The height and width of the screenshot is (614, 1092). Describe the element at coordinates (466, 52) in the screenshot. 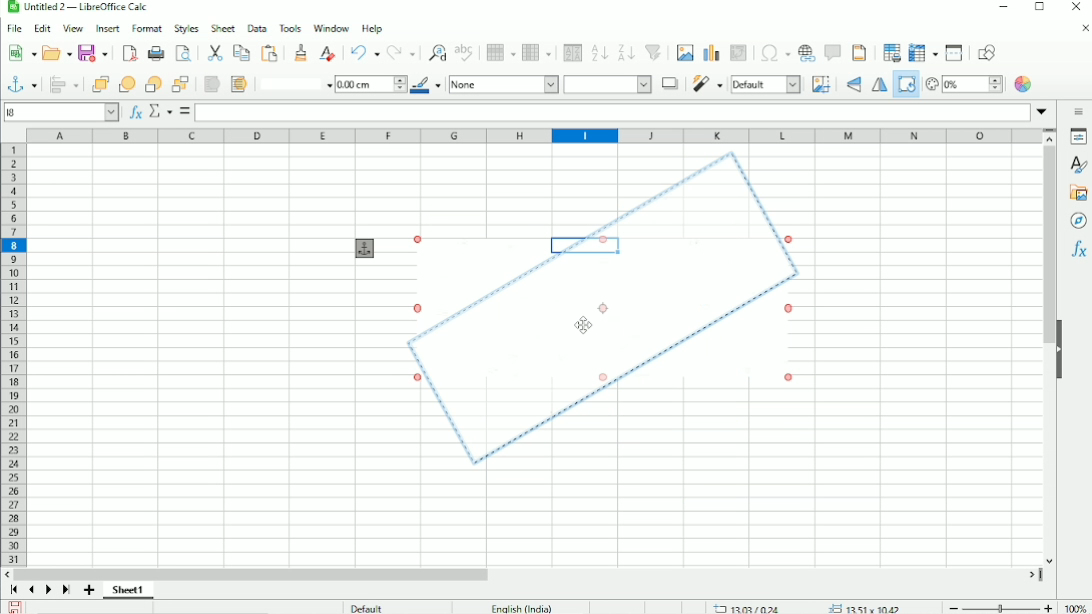

I see `Spell check` at that location.